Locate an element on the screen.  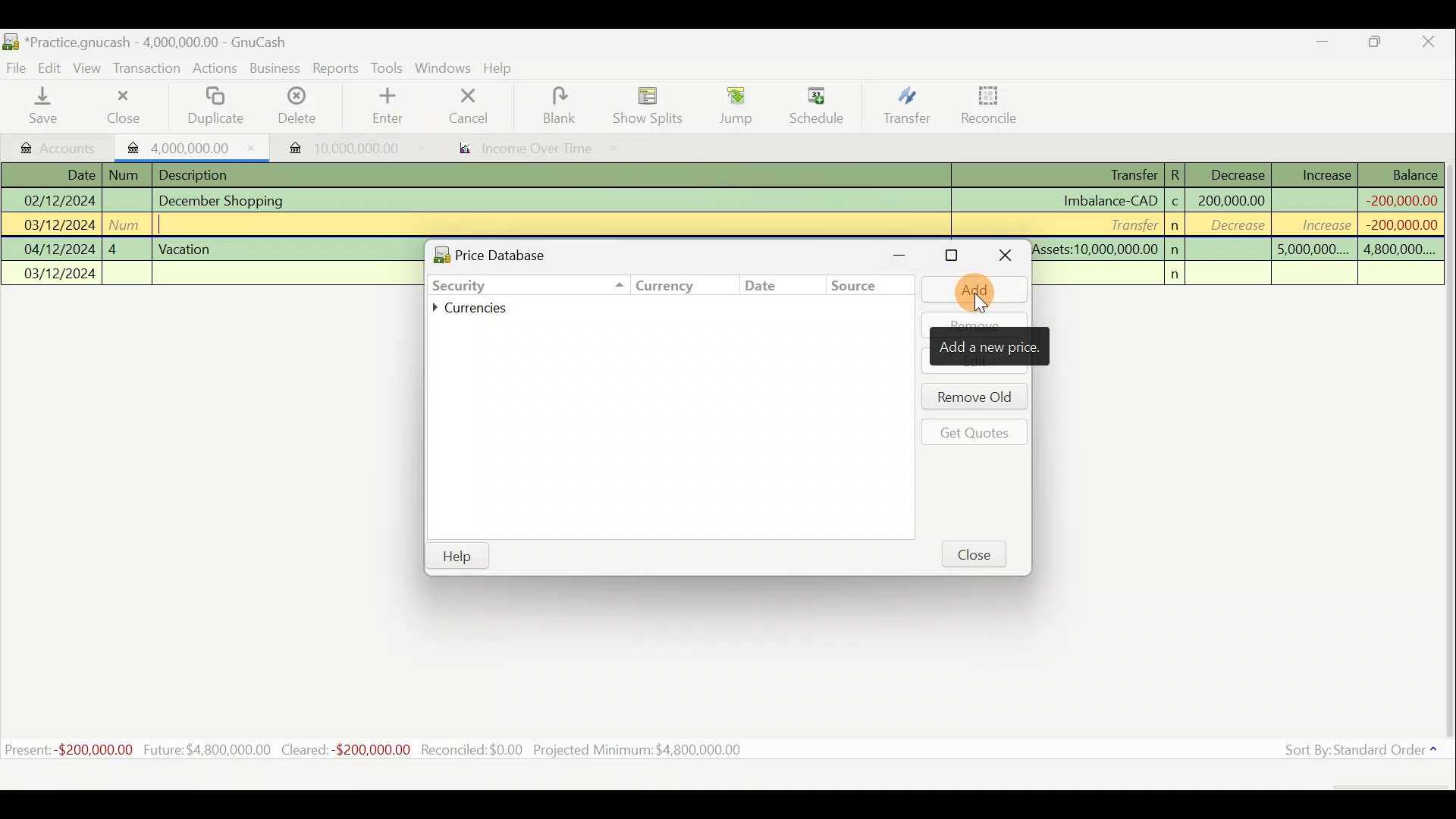
Duplicate is located at coordinates (218, 106).